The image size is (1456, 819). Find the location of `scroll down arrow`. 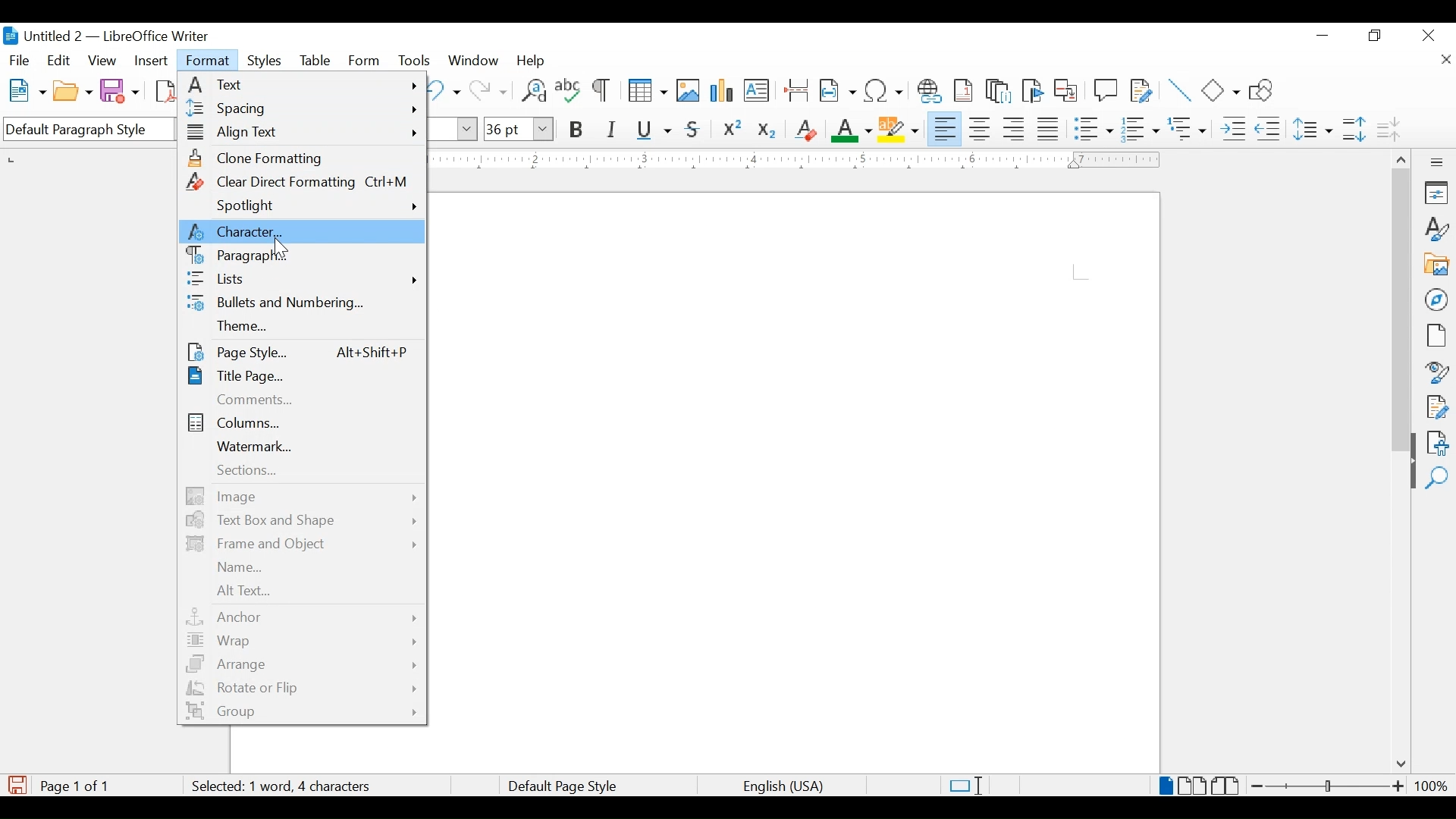

scroll down arrow is located at coordinates (1398, 765).